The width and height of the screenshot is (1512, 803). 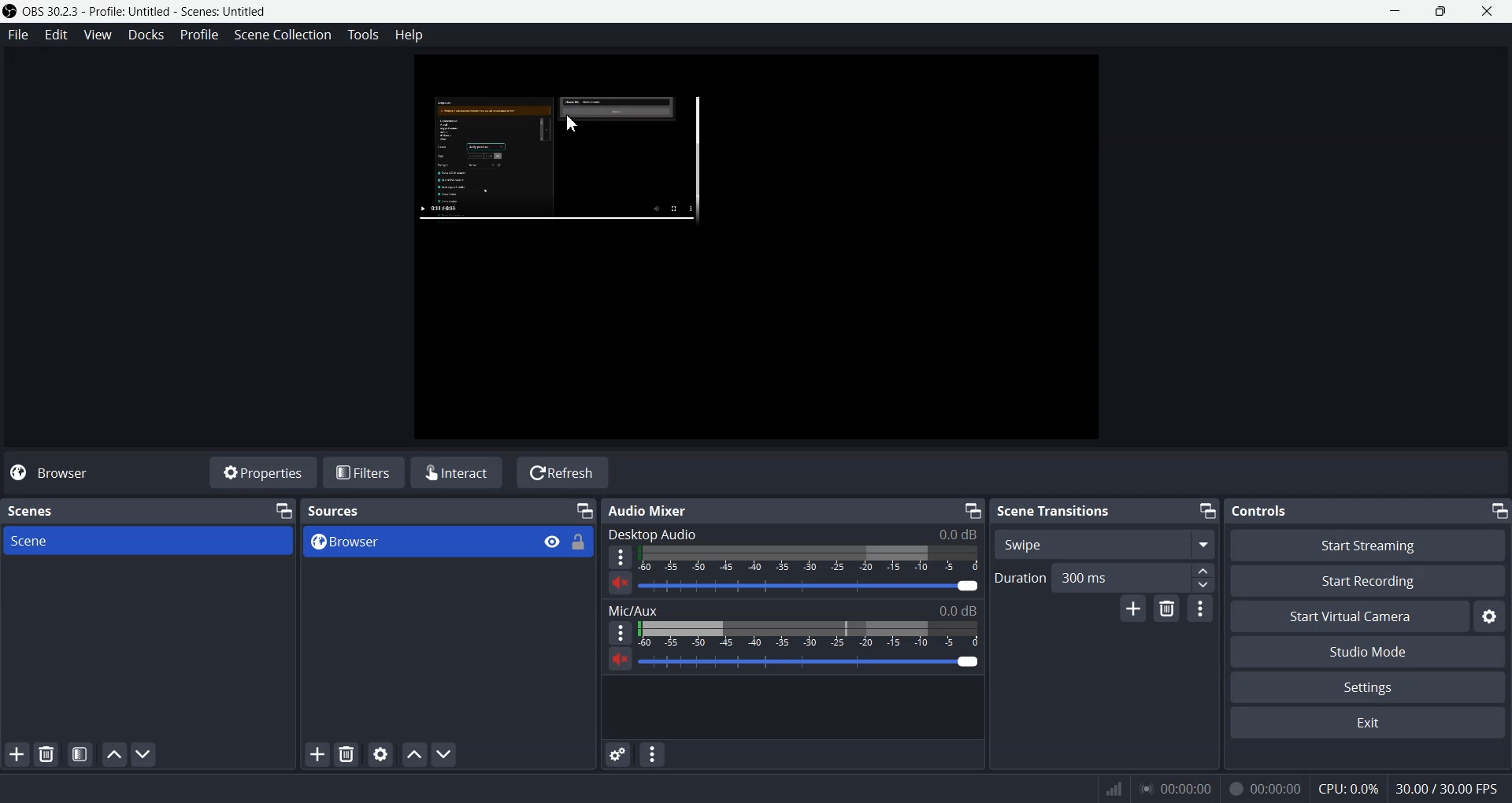 What do you see at coordinates (810, 661) in the screenshot?
I see `Volume Adjuster` at bounding box center [810, 661].